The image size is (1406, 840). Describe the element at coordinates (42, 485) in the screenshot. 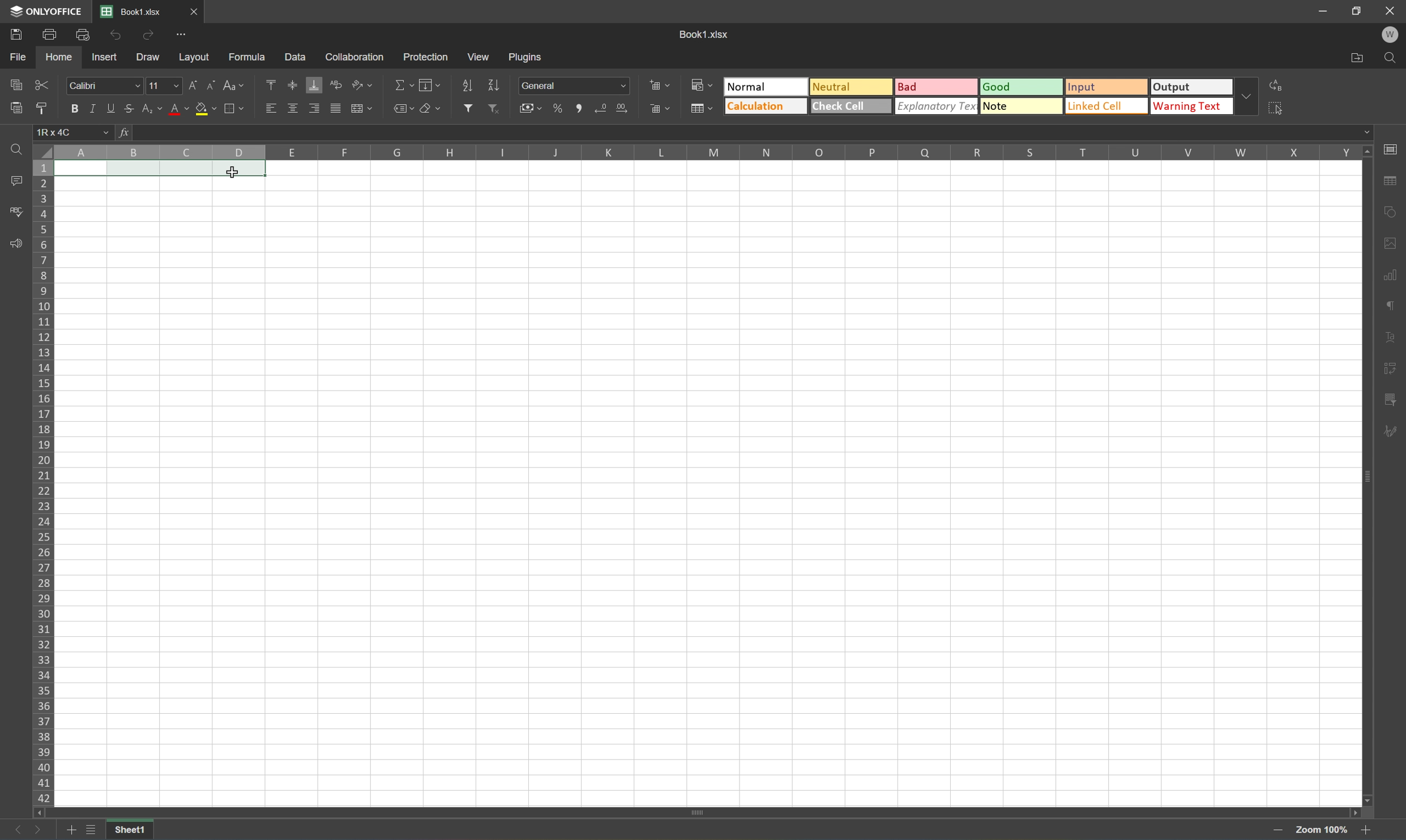

I see `Row numbers` at that location.